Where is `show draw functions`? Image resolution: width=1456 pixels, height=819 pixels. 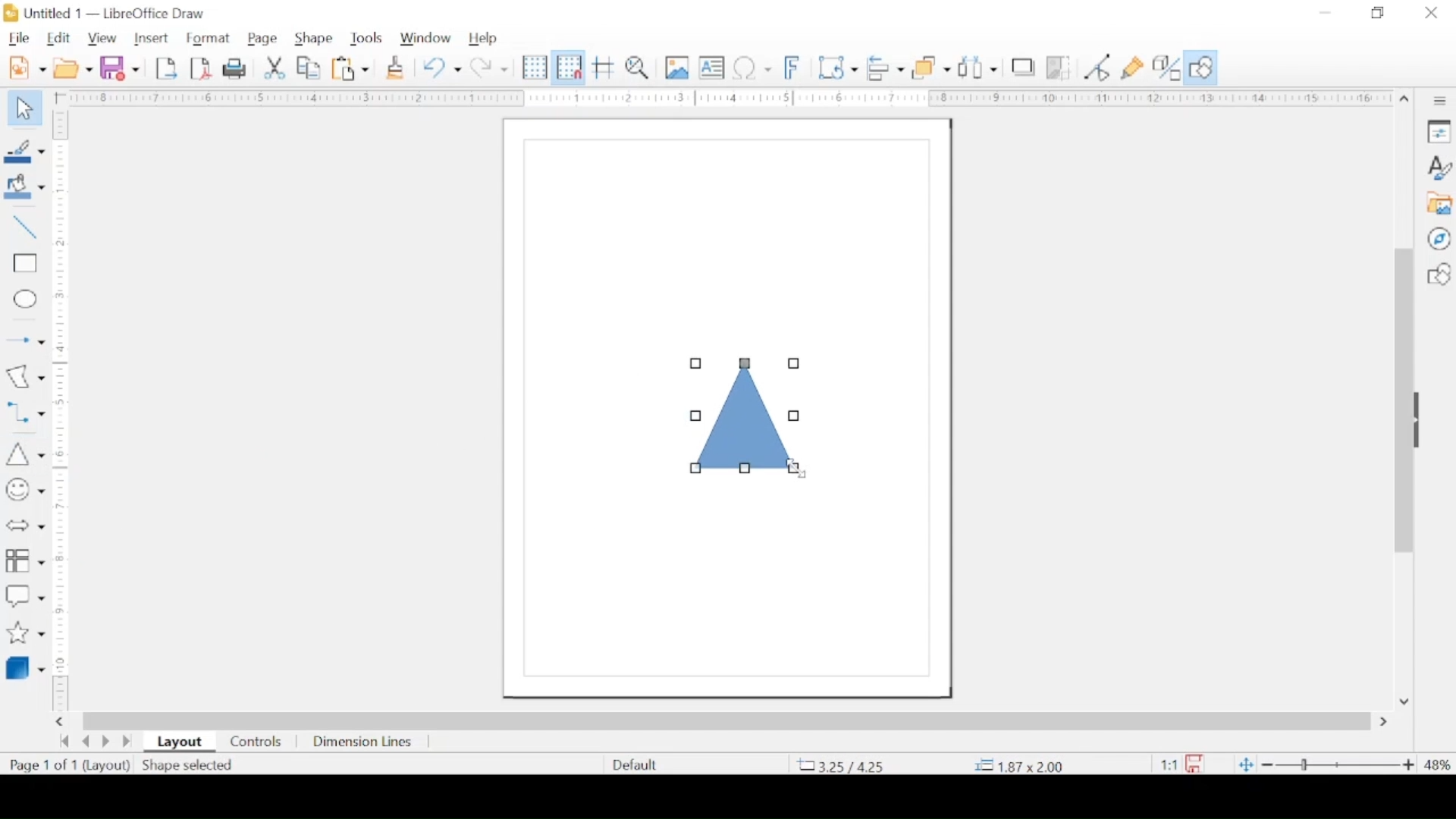 show draw functions is located at coordinates (1203, 67).